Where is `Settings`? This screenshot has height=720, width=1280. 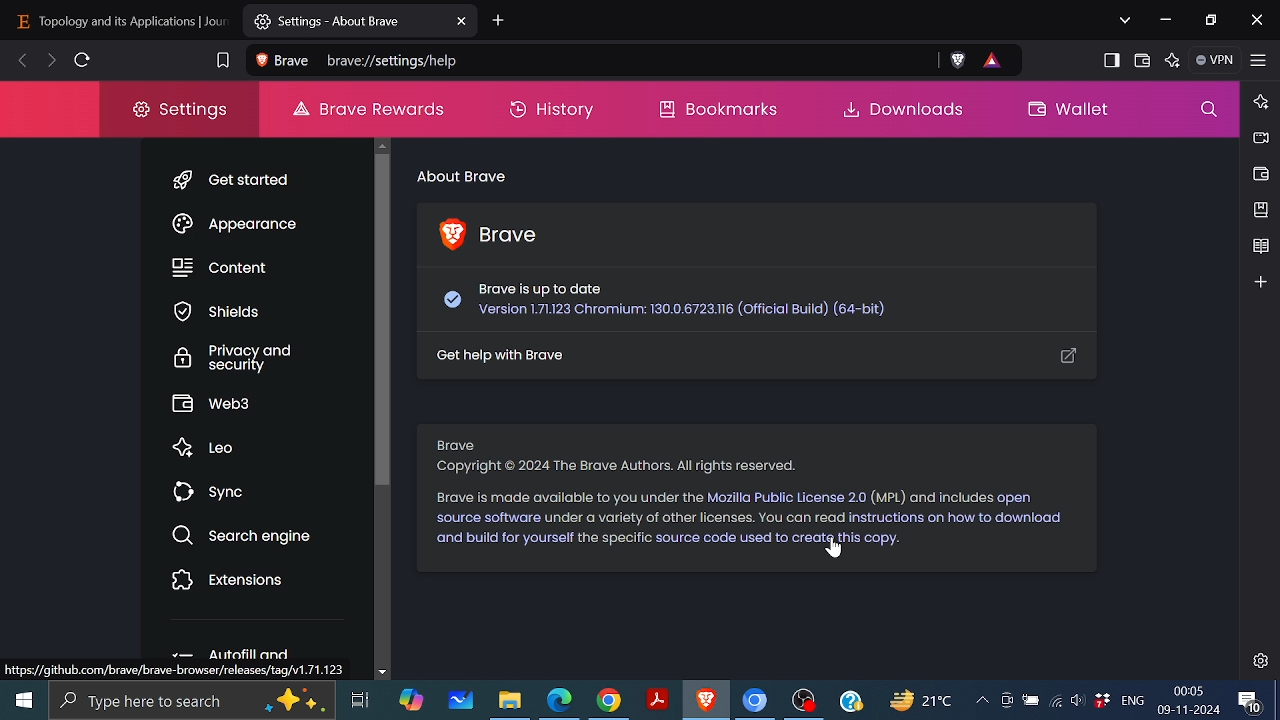 Settings is located at coordinates (1262, 660).